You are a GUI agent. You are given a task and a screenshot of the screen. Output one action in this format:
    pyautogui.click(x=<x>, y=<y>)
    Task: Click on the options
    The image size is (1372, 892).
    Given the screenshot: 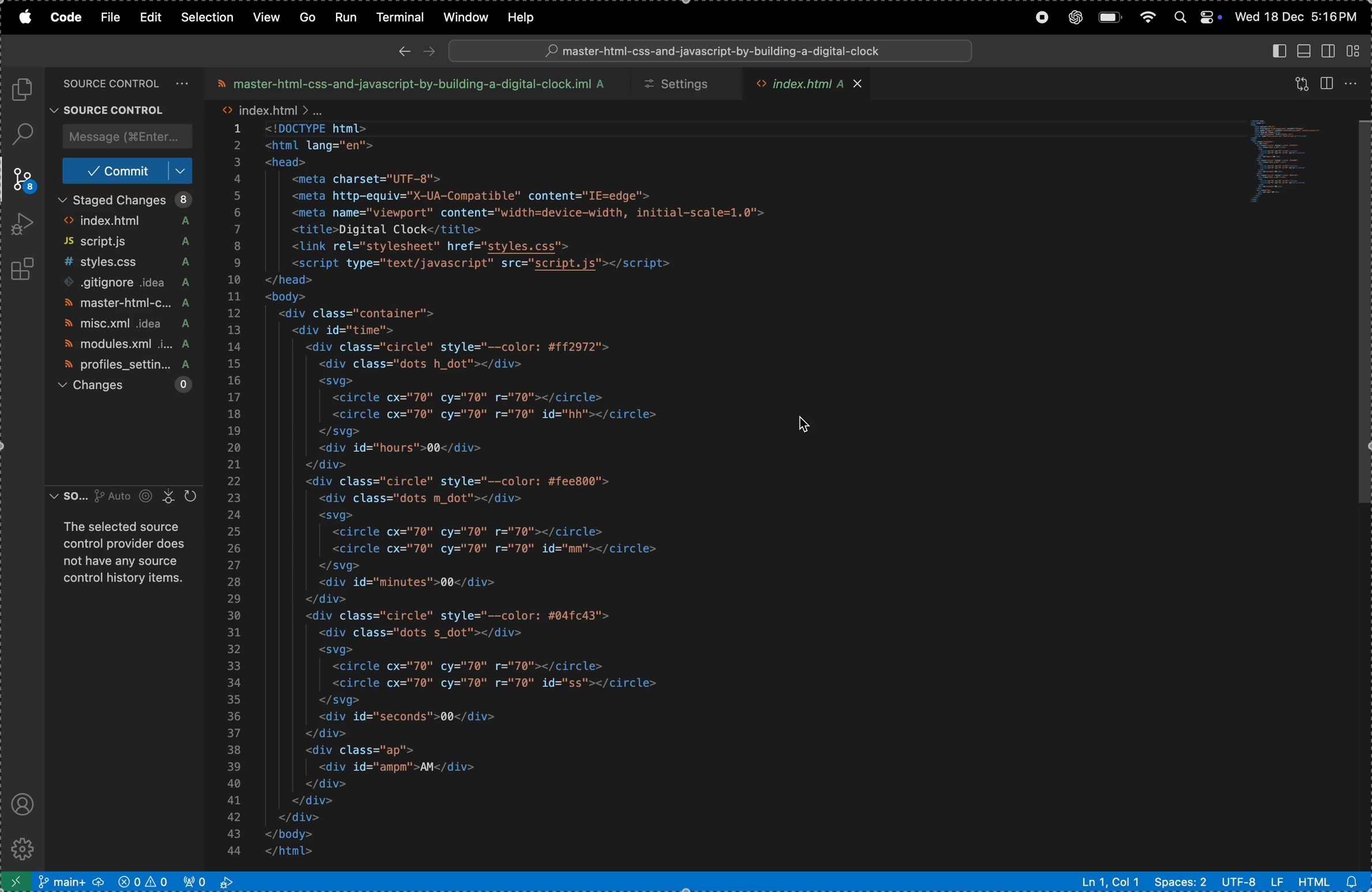 What is the action you would take?
    pyautogui.click(x=1352, y=82)
    